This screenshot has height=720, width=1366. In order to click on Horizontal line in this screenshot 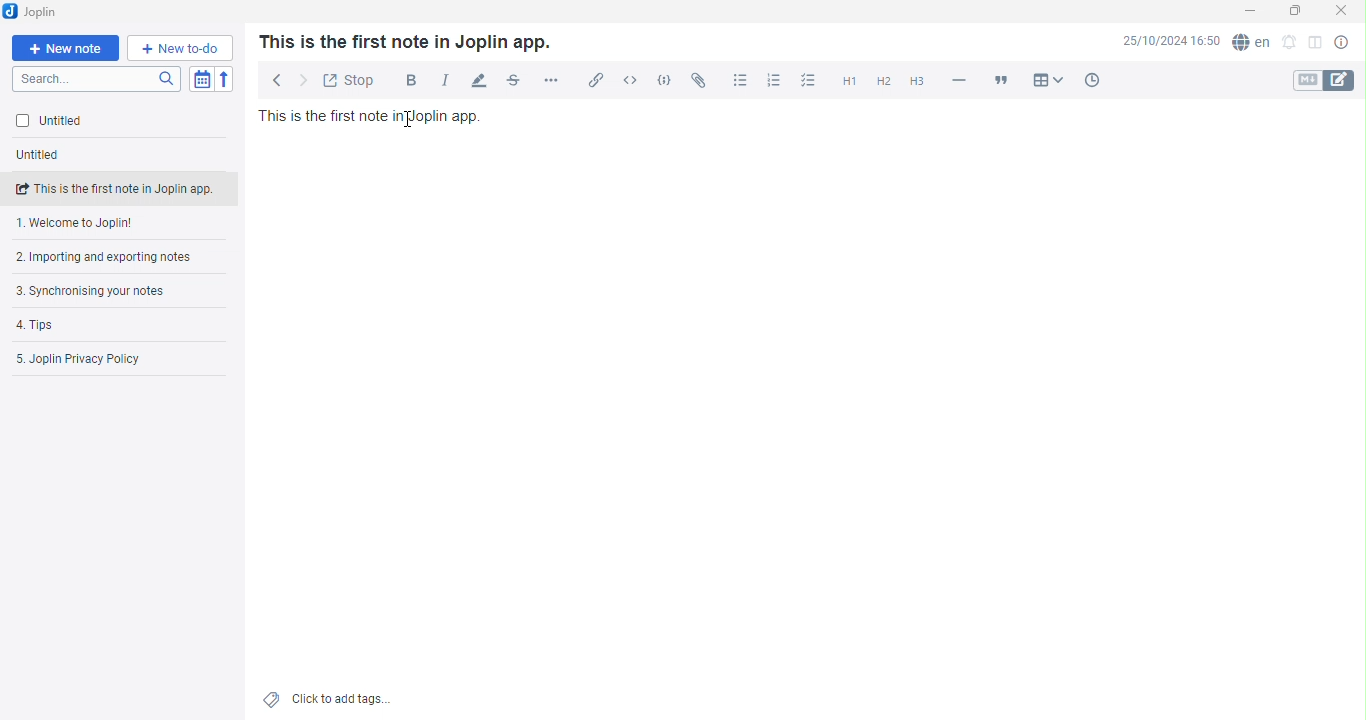, I will do `click(959, 80)`.